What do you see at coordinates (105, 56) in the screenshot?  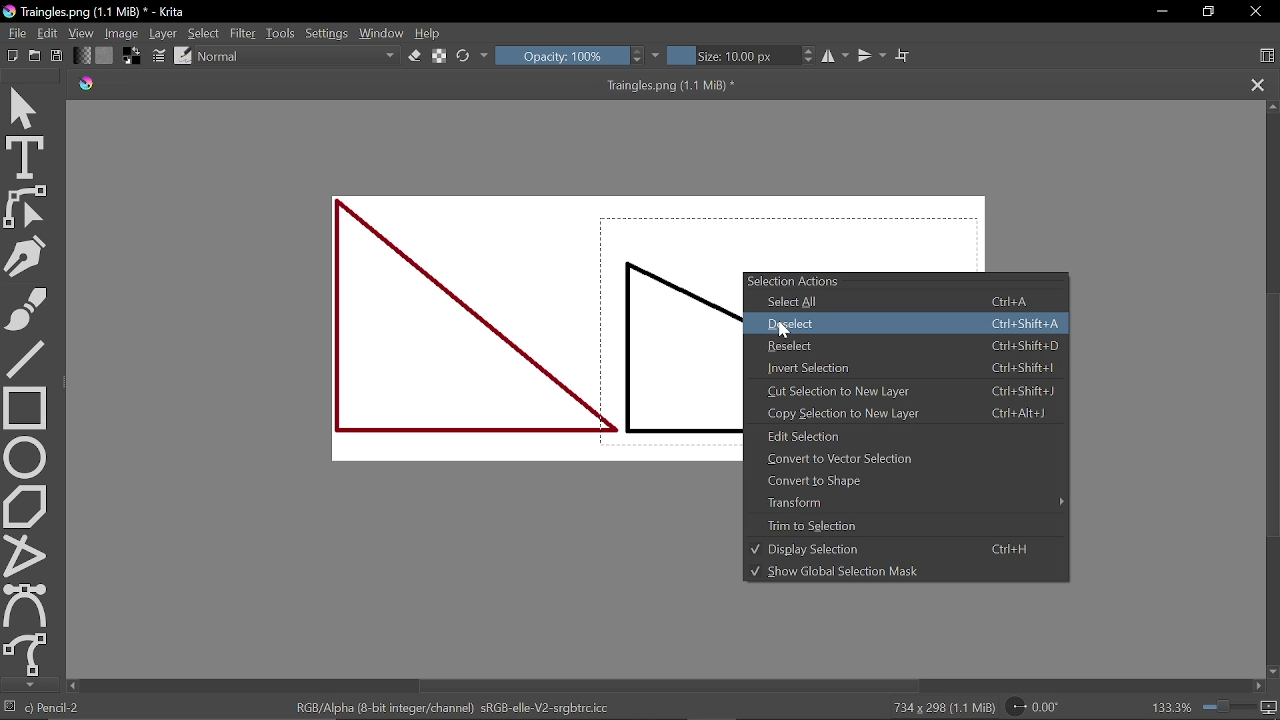 I see `Fill gradient` at bounding box center [105, 56].